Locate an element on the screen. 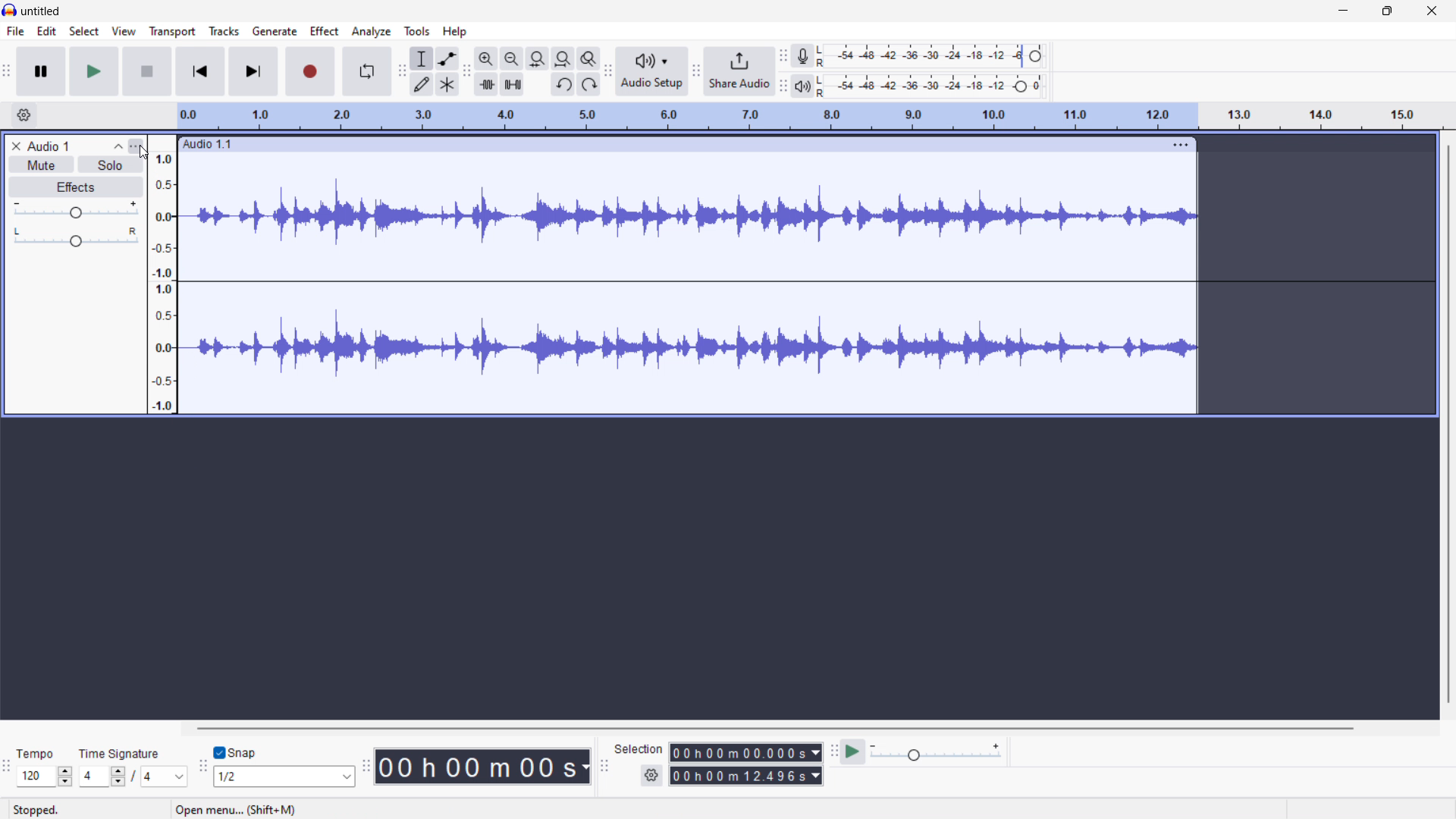 Image resolution: width=1456 pixels, height=819 pixels. pan is located at coordinates (75, 238).